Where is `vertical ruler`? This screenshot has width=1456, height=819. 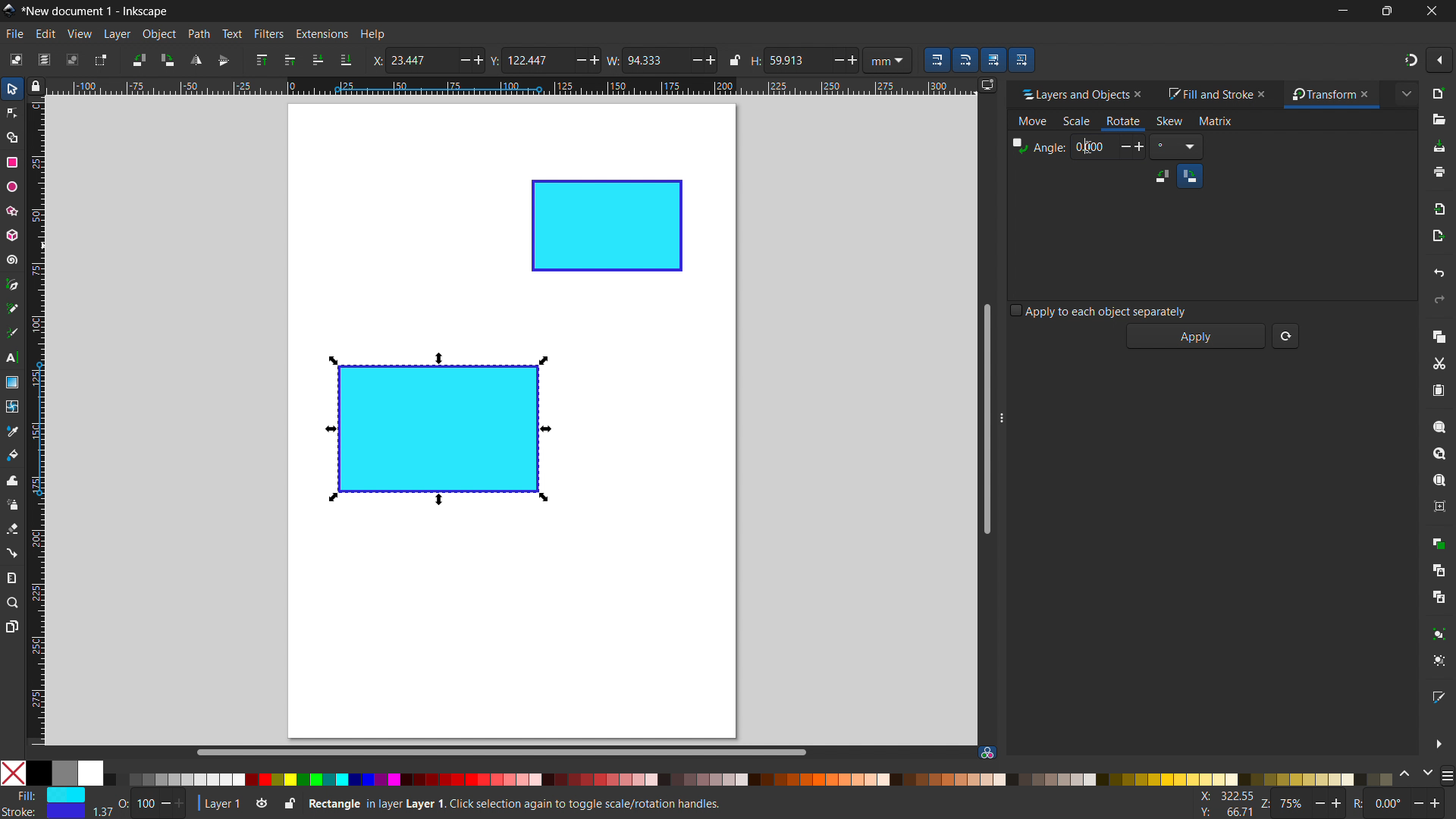
vertical ruler is located at coordinates (36, 424).